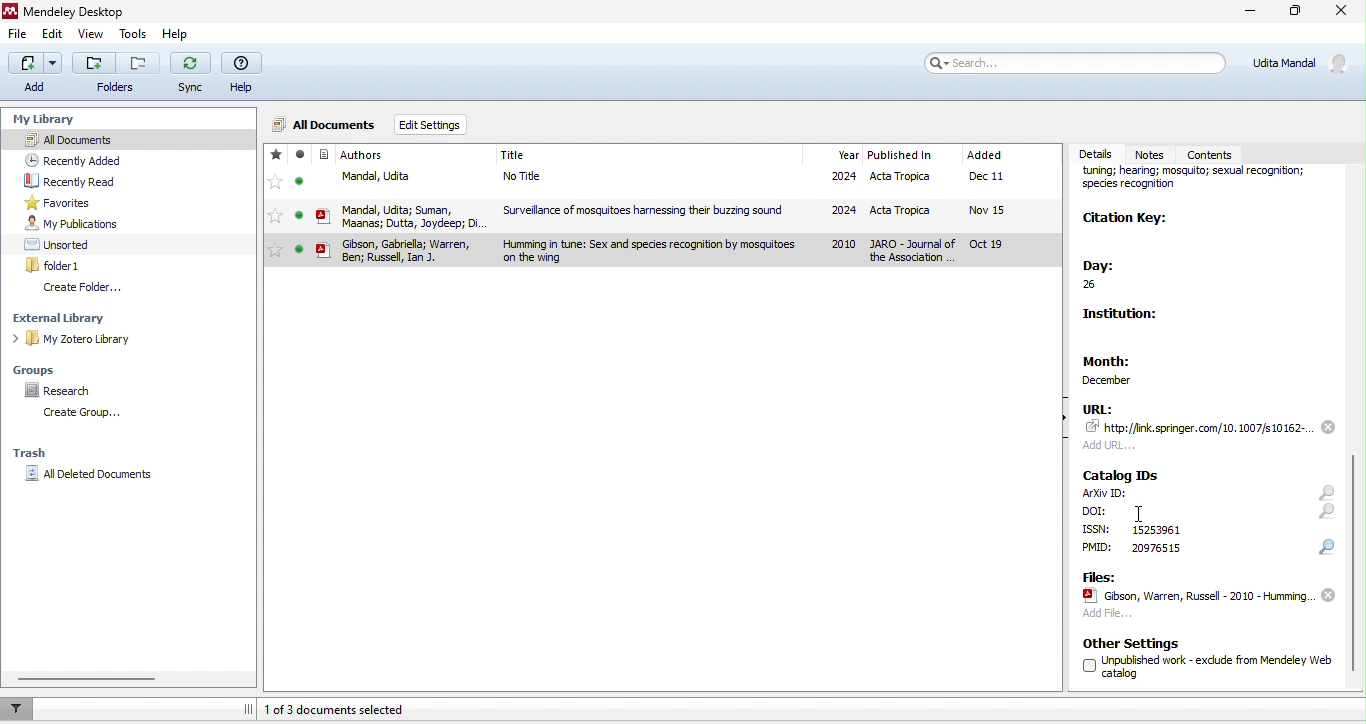 The height and width of the screenshot is (724, 1366). I want to click on contents, so click(1219, 152).